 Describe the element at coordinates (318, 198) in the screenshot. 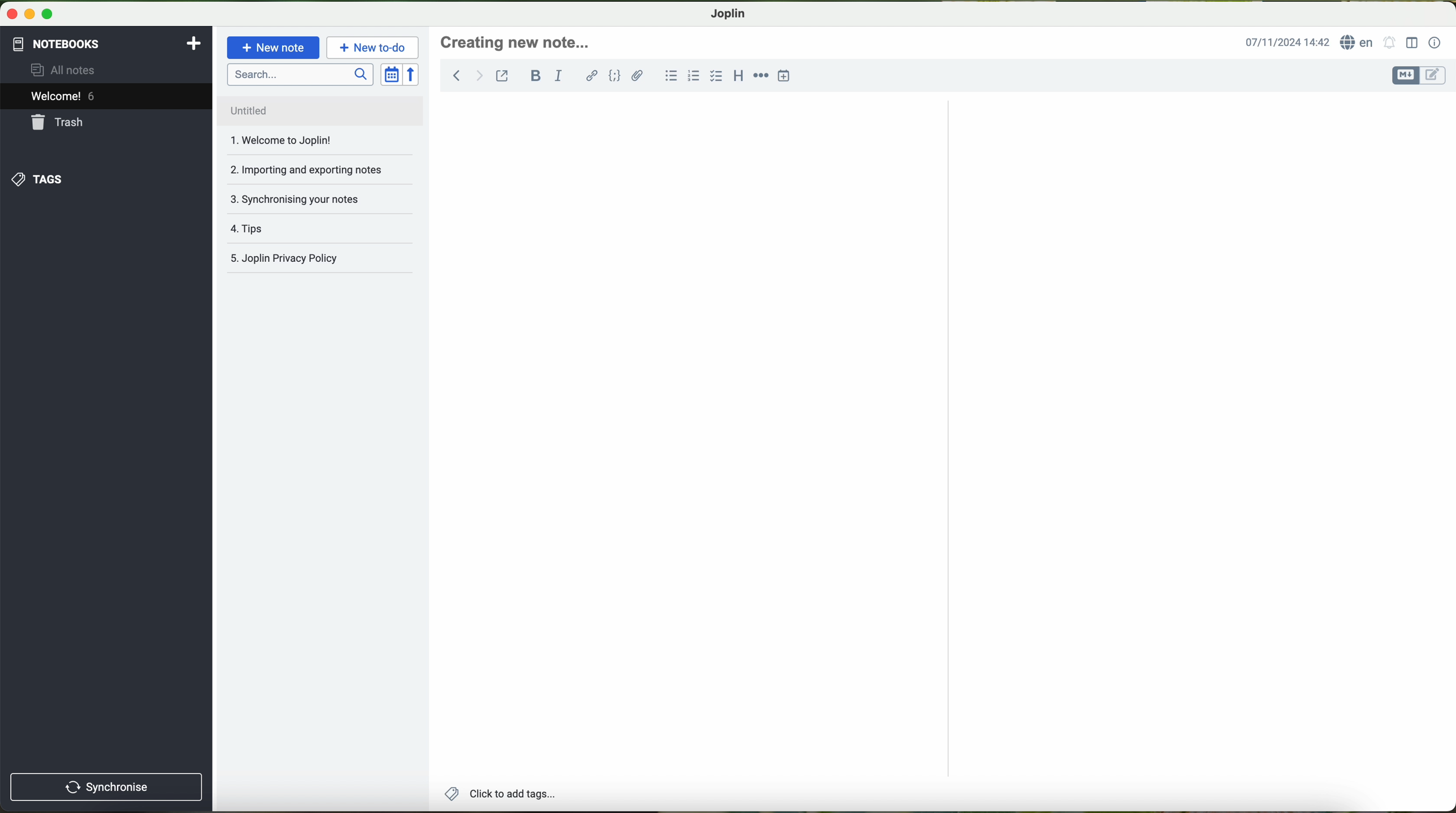

I see `synchronising your notes` at that location.